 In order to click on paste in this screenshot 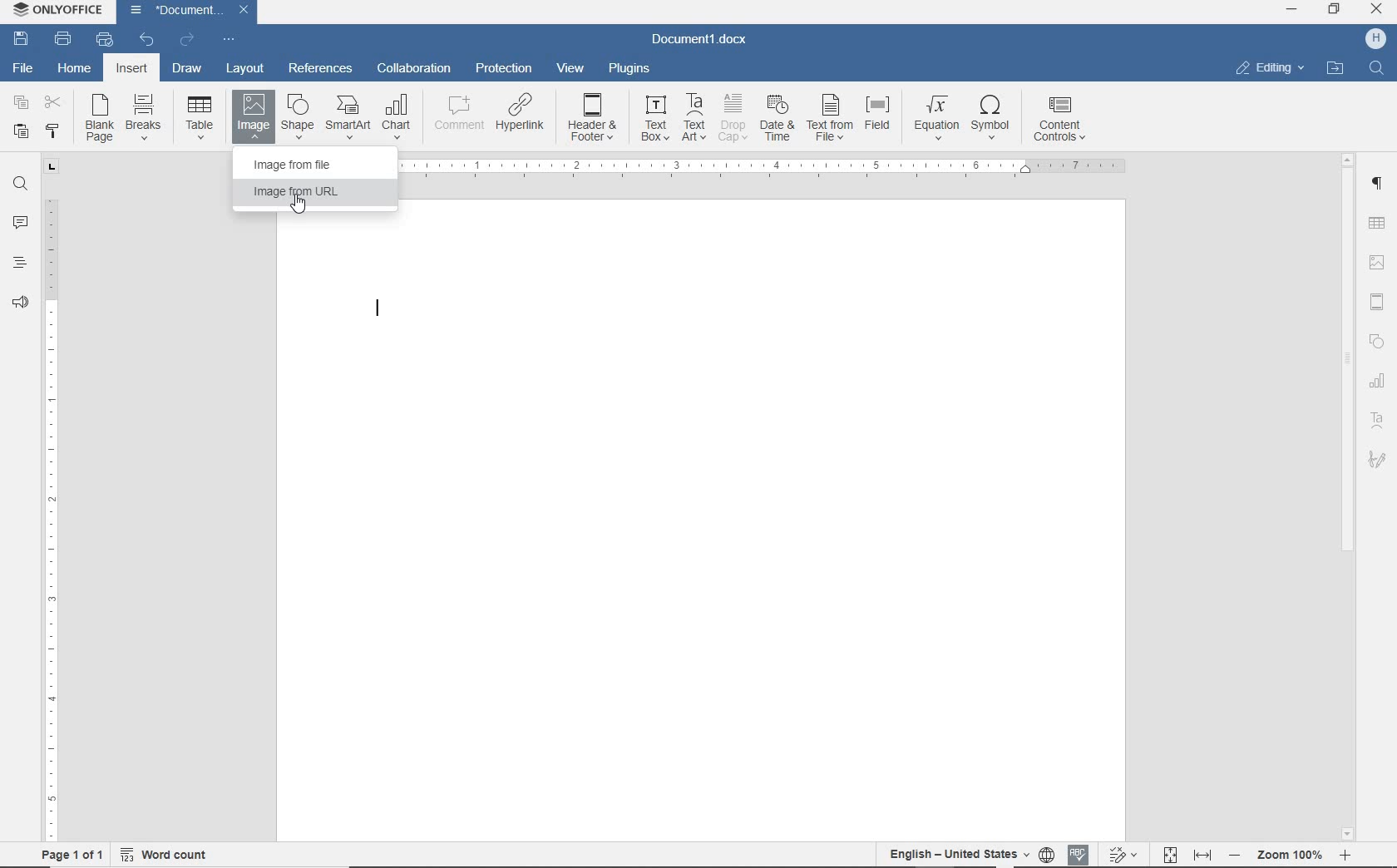, I will do `click(20, 133)`.